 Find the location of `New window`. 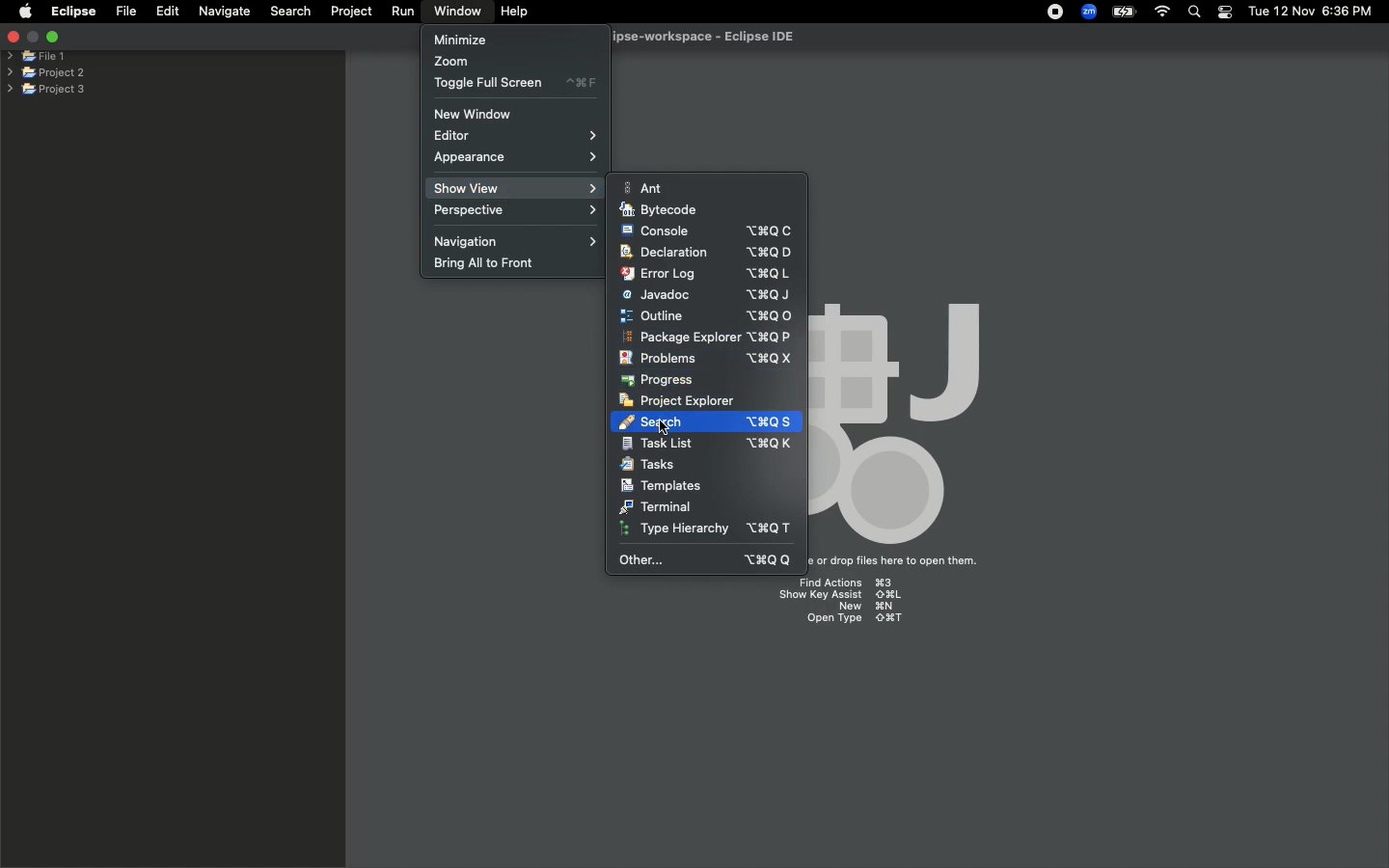

New window is located at coordinates (479, 114).